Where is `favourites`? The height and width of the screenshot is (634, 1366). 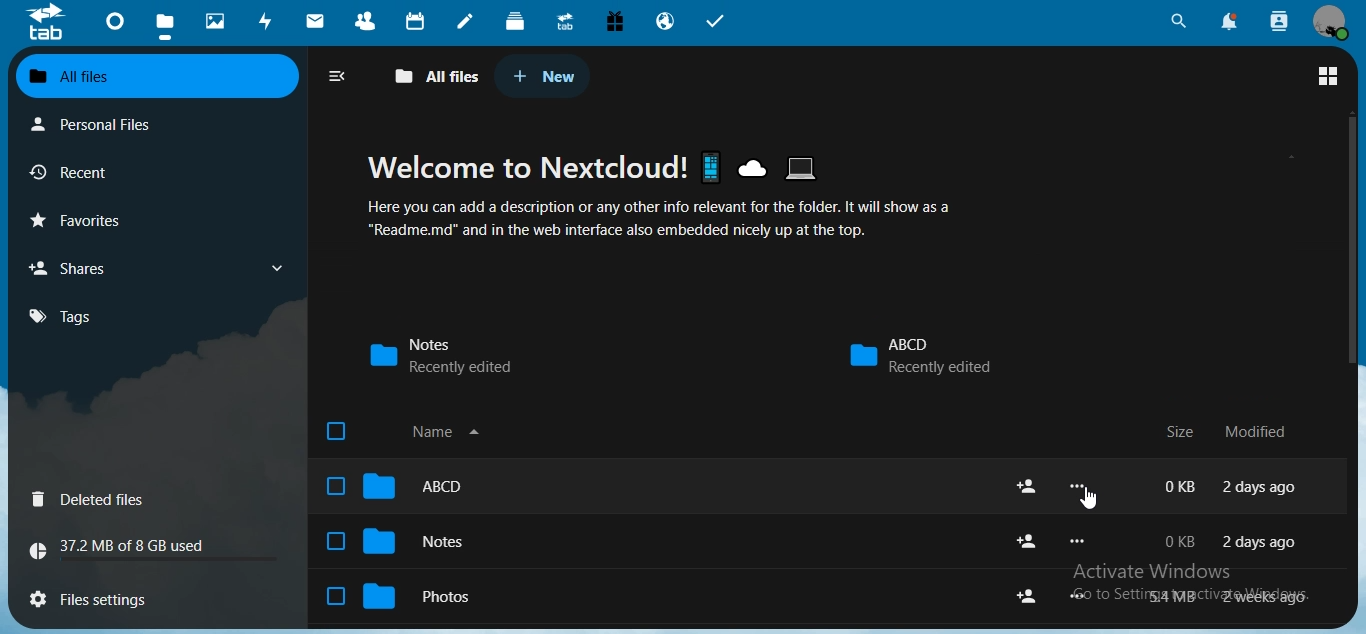
favourites is located at coordinates (79, 218).